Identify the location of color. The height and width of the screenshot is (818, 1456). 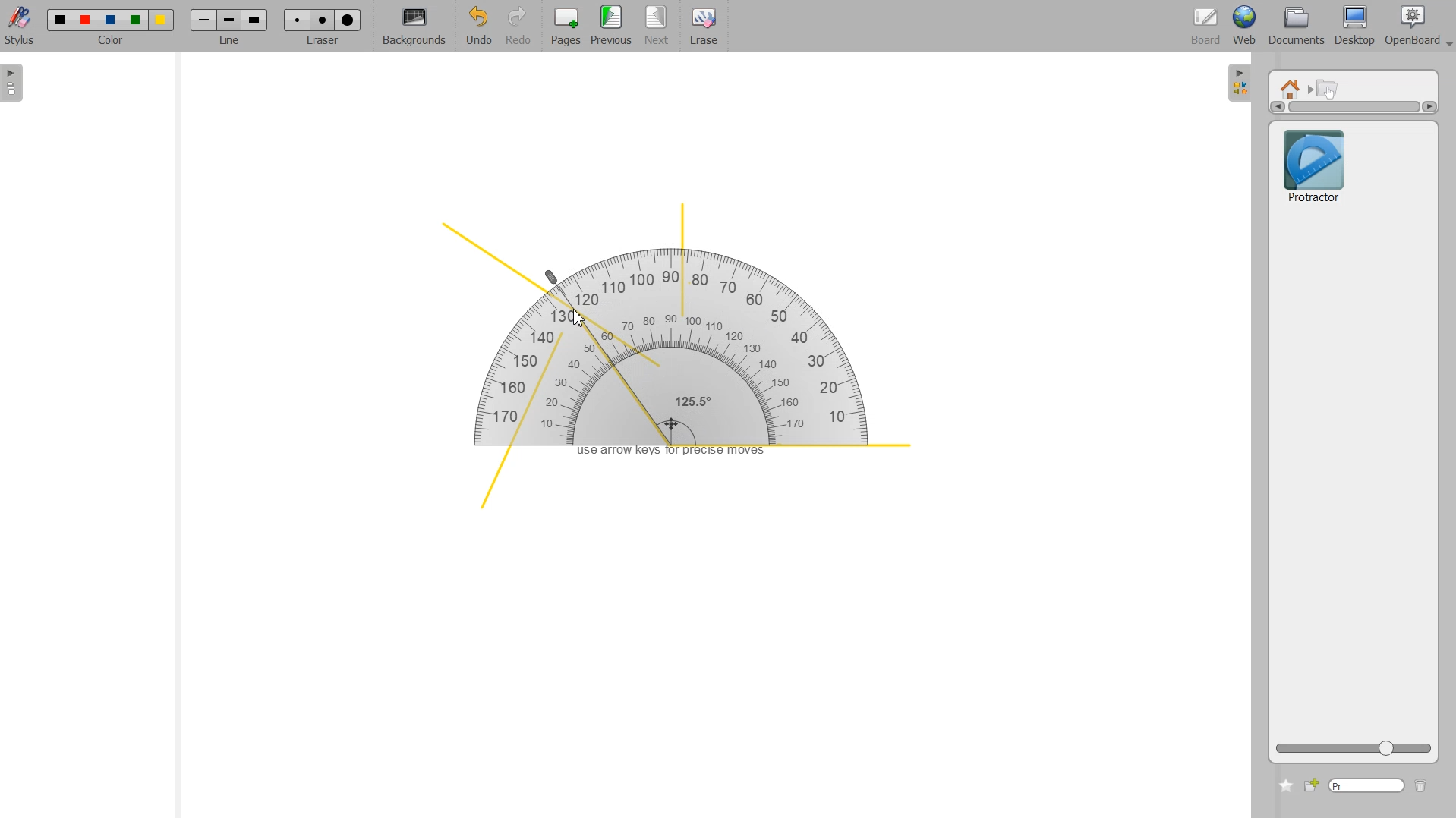
(112, 42).